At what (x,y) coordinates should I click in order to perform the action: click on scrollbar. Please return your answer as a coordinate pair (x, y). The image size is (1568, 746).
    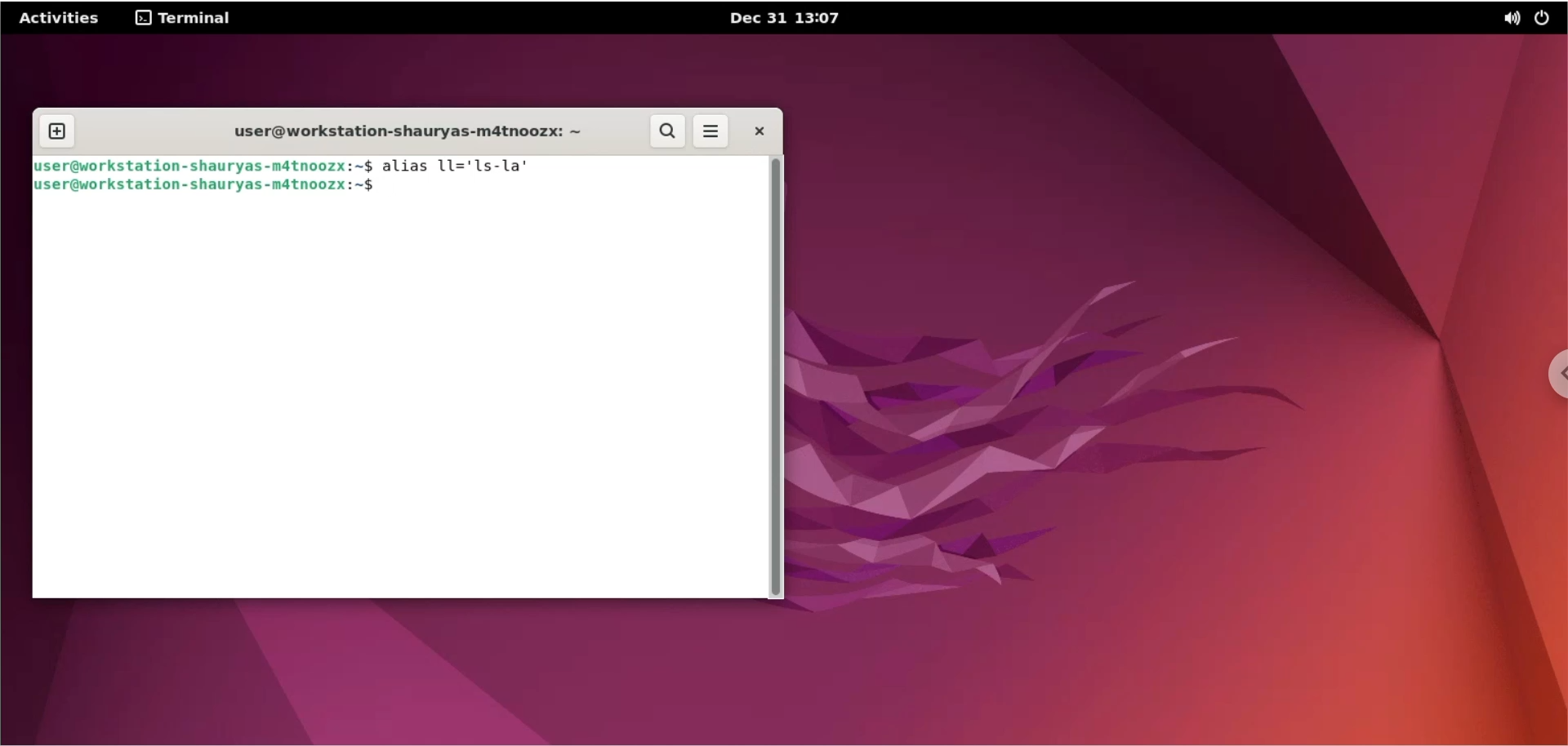
    Looking at the image, I should click on (781, 376).